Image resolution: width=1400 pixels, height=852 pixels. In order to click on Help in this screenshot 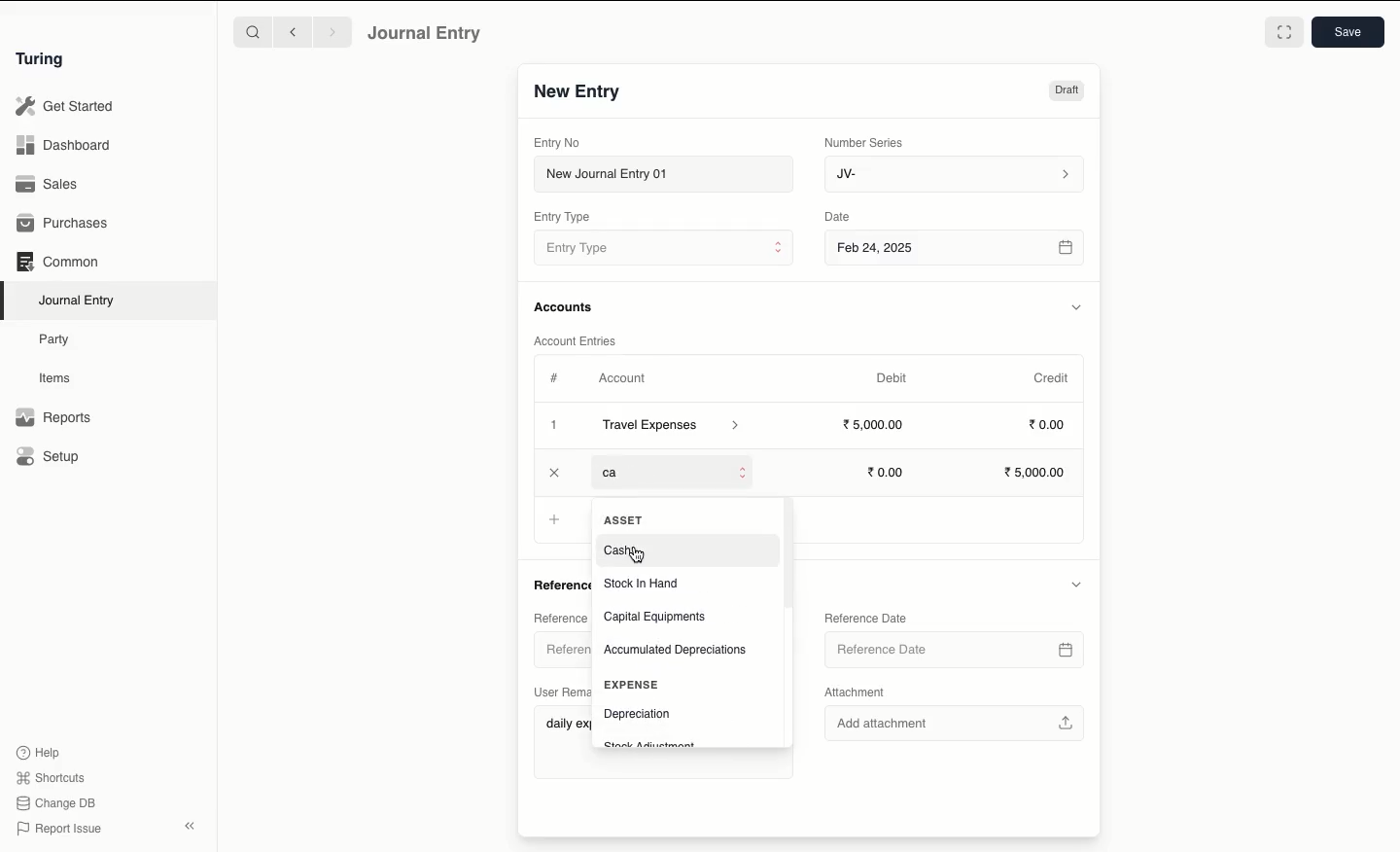, I will do `click(39, 753)`.